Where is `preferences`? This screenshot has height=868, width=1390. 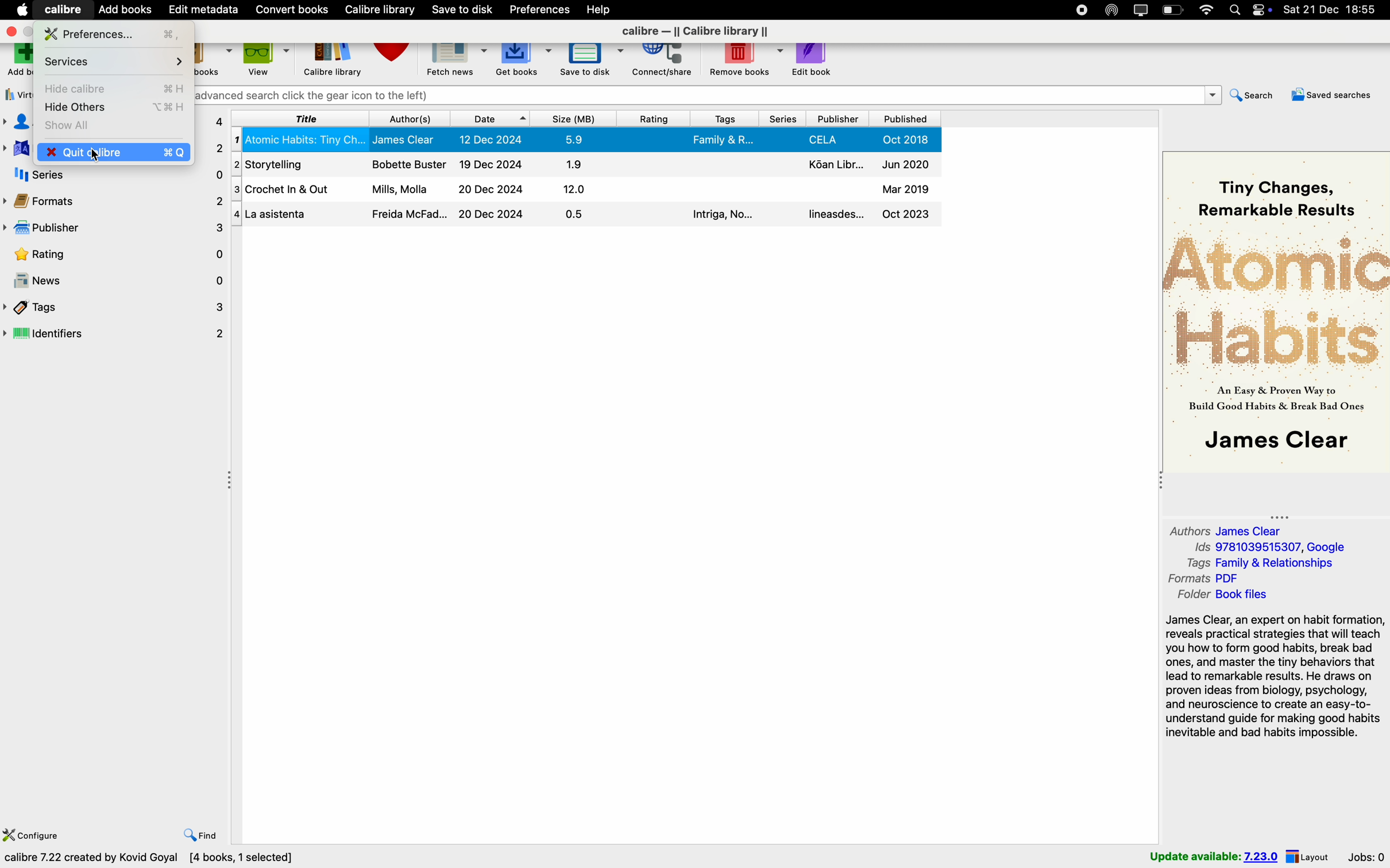
preferences is located at coordinates (117, 33).